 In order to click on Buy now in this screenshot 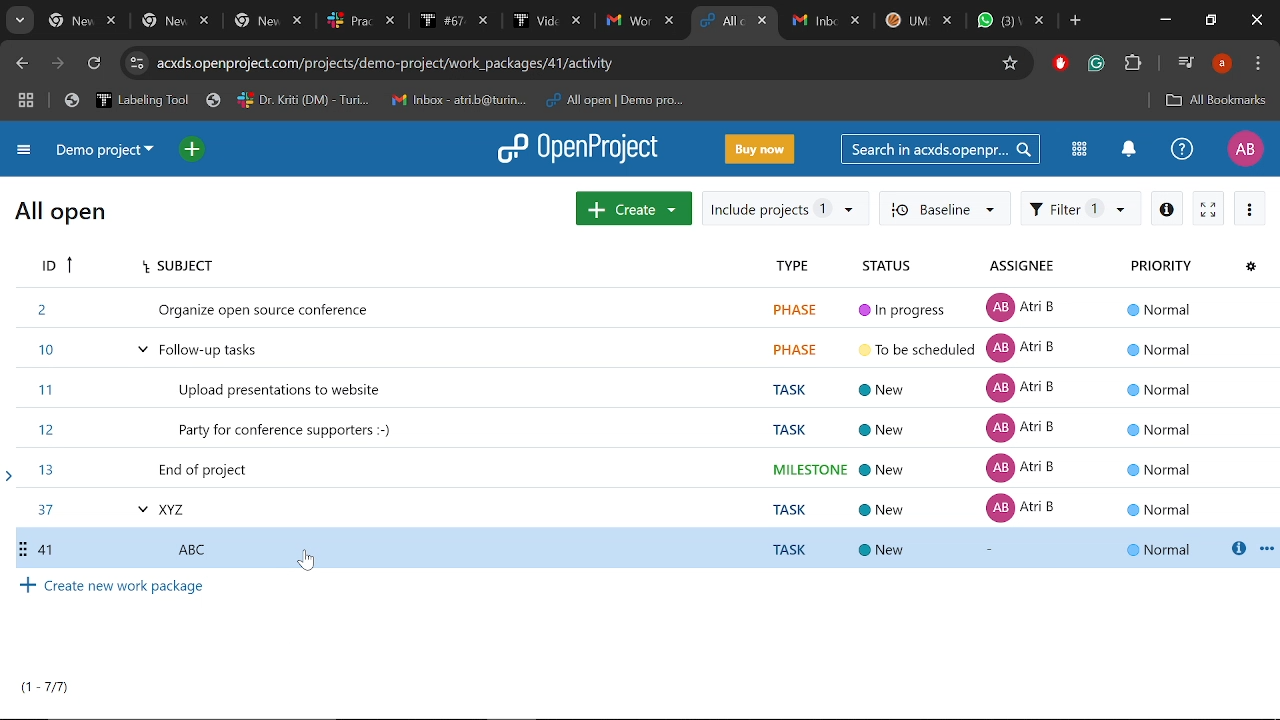, I will do `click(763, 148)`.